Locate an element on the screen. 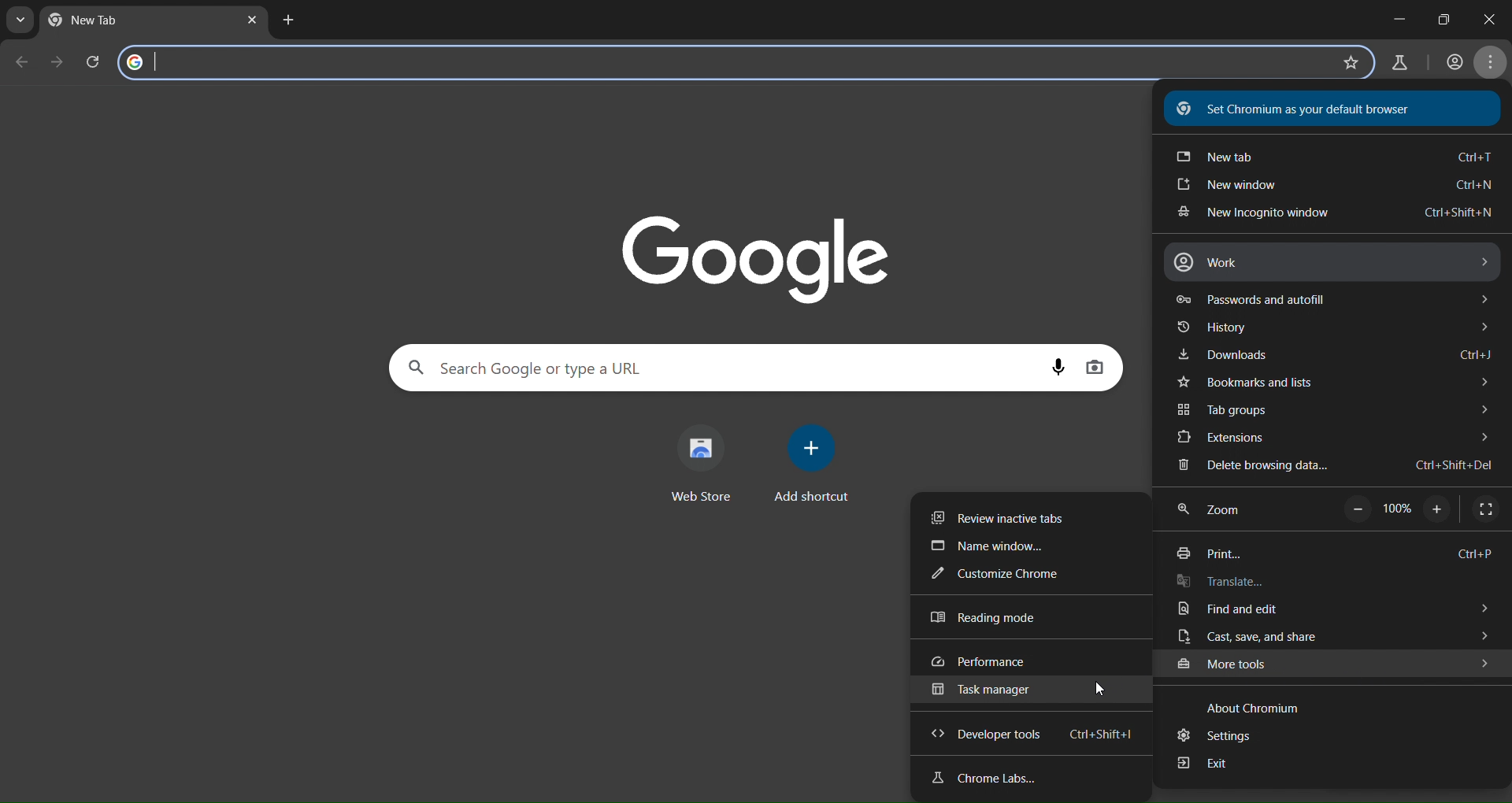 This screenshot has height=803, width=1512. bookmarks and lists is located at coordinates (1338, 383).